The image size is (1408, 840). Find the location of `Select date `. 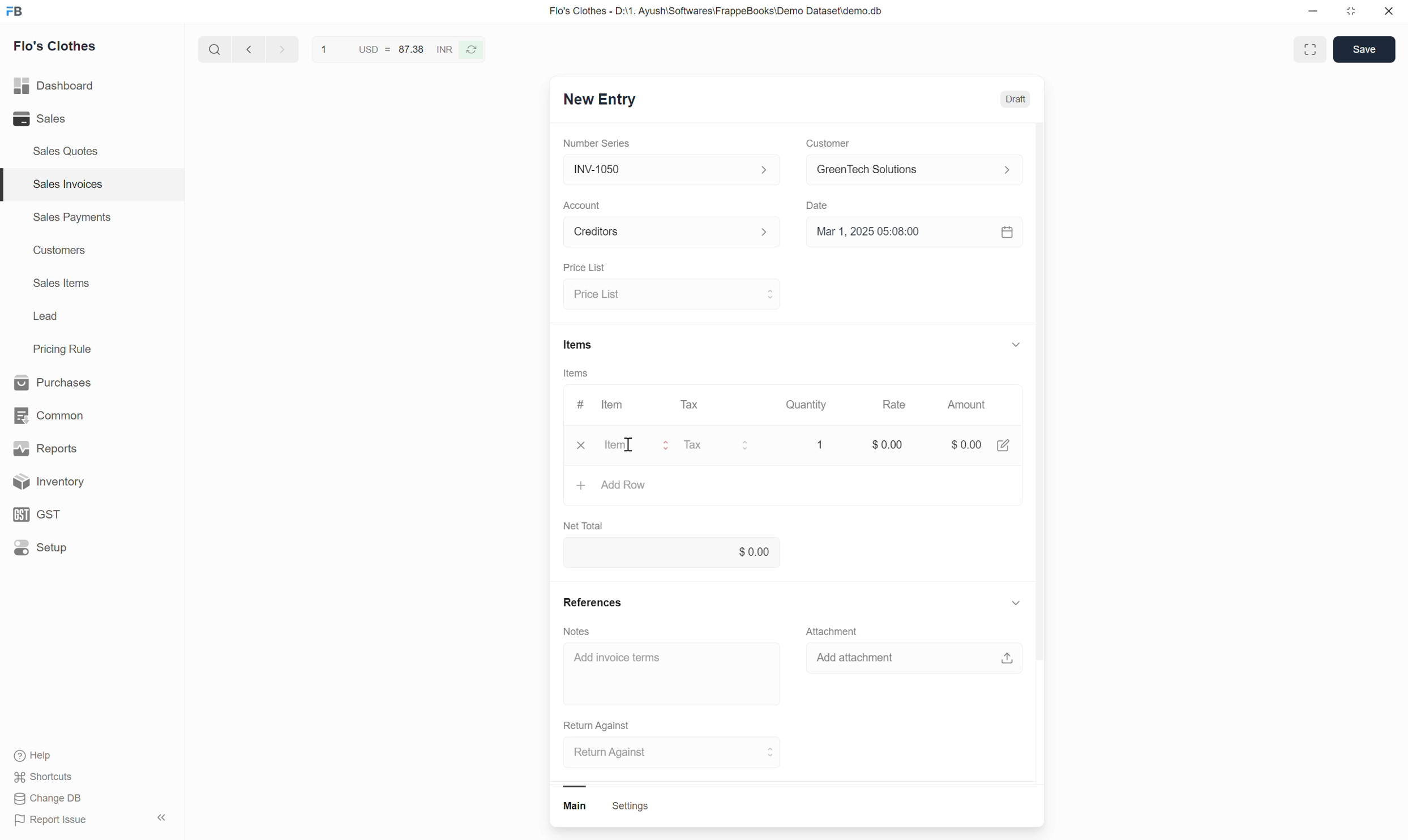

Select date  is located at coordinates (914, 236).